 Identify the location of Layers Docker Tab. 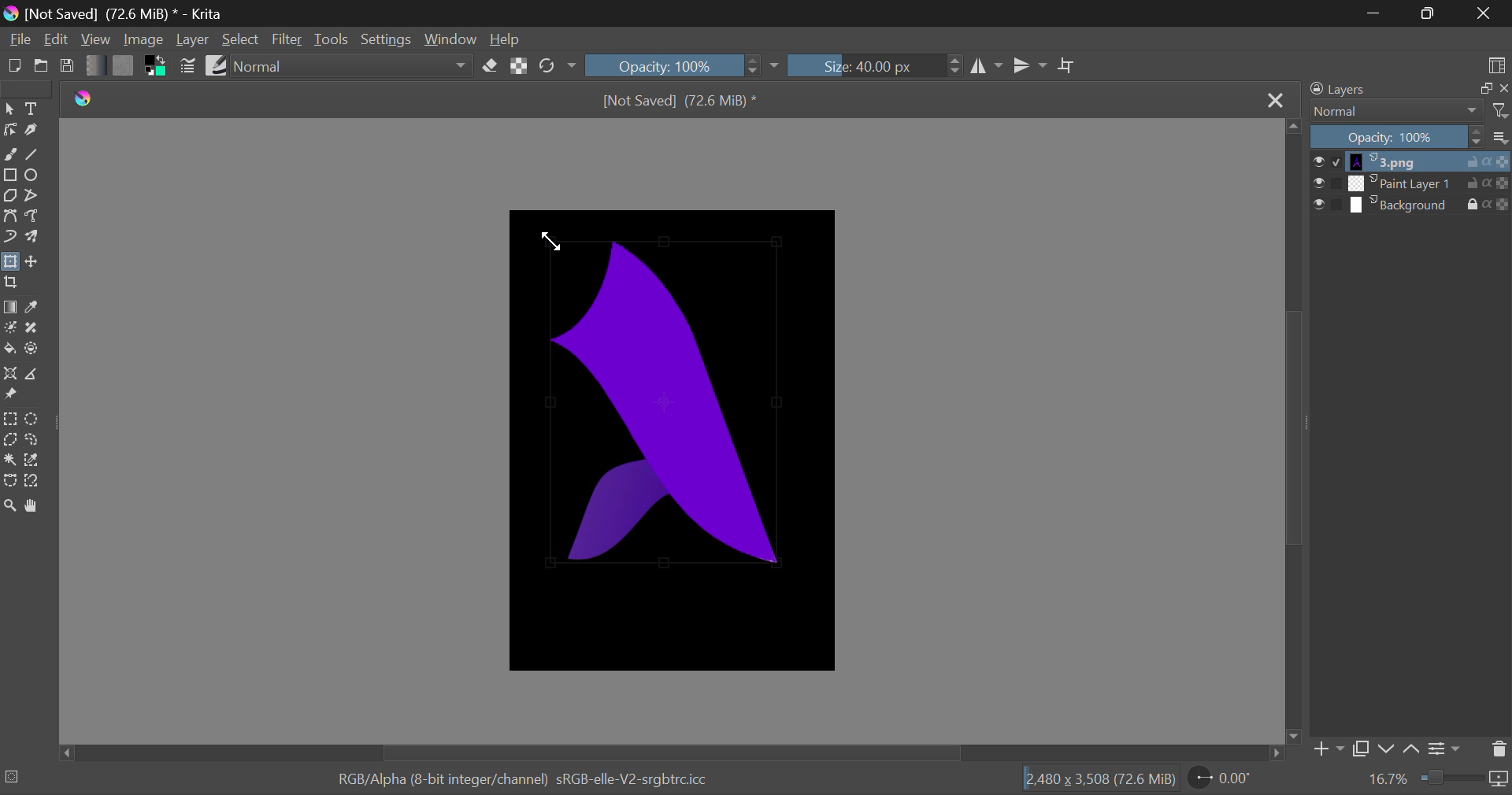
(1345, 90).